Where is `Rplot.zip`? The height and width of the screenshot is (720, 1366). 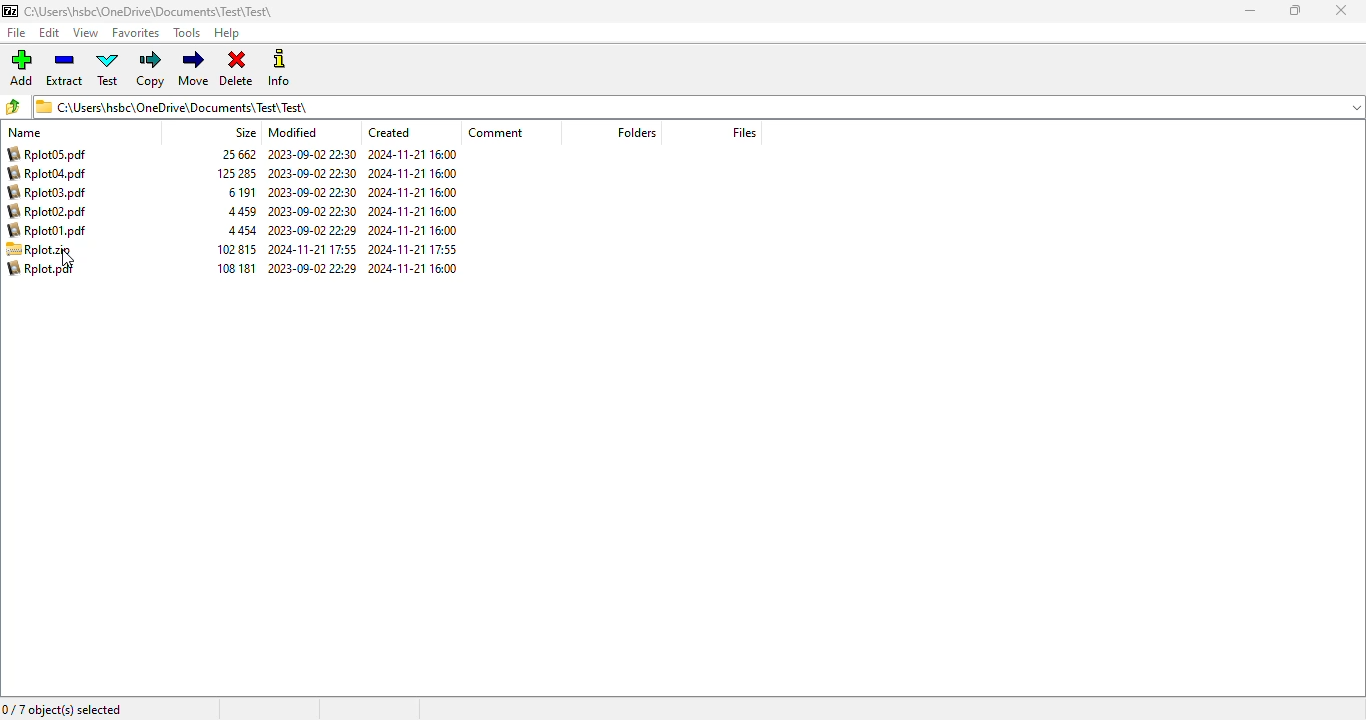 Rplot.zip is located at coordinates (39, 250).